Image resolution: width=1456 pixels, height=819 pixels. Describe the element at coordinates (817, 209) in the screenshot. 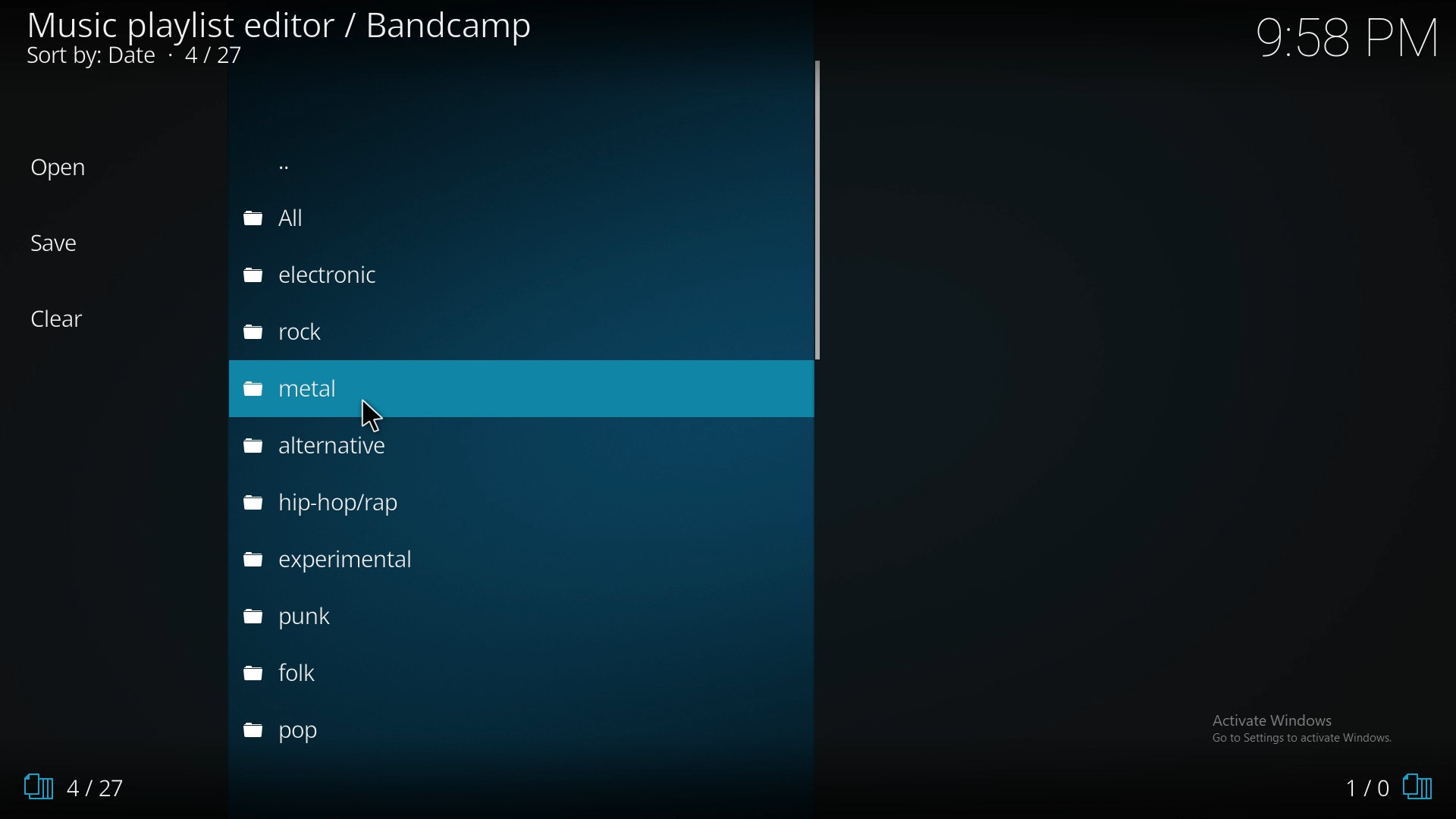

I see `scroll bar` at that location.